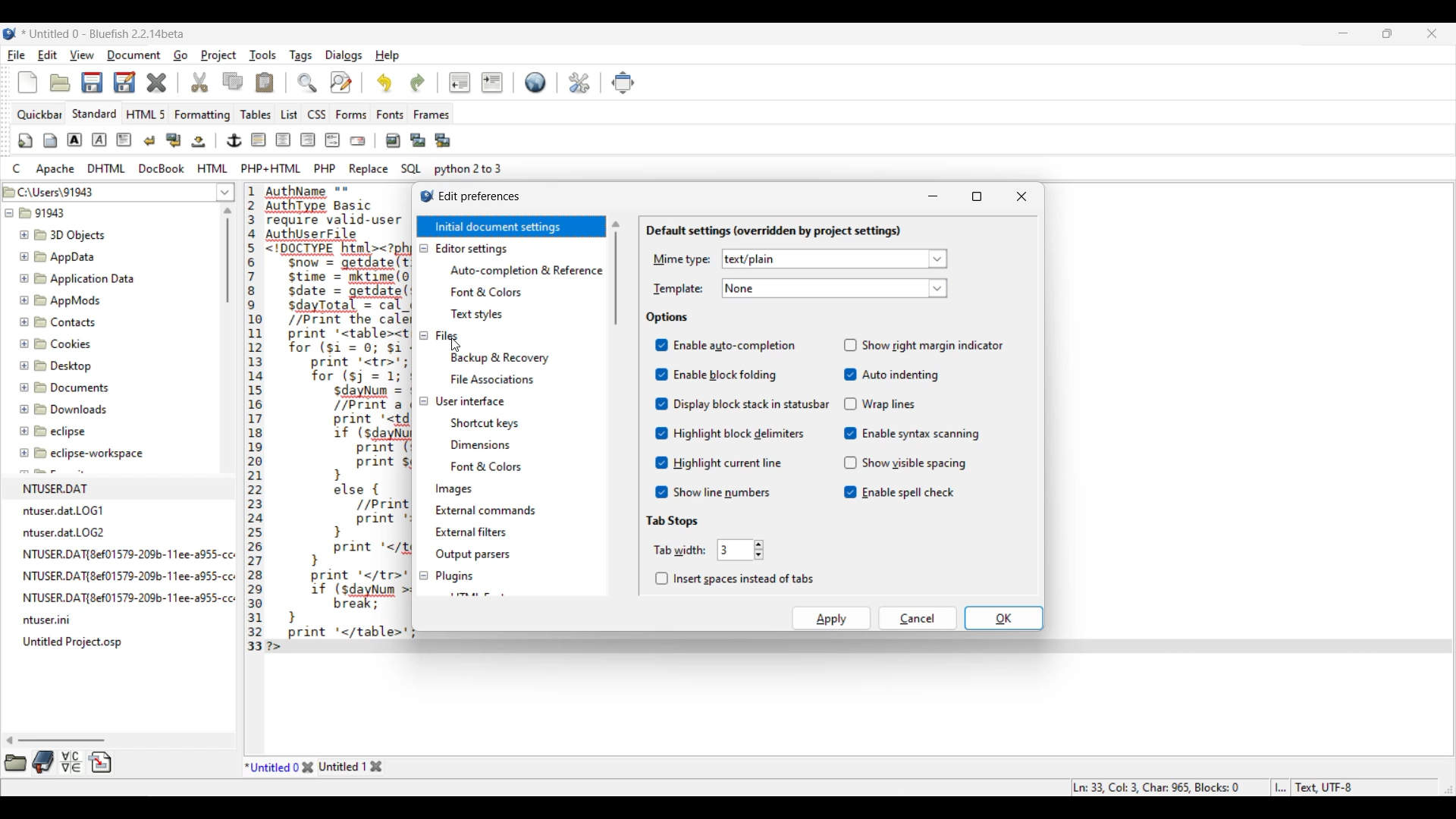 The height and width of the screenshot is (819, 1456). Describe the element at coordinates (535, 82) in the screenshot. I see `Default settings` at that location.